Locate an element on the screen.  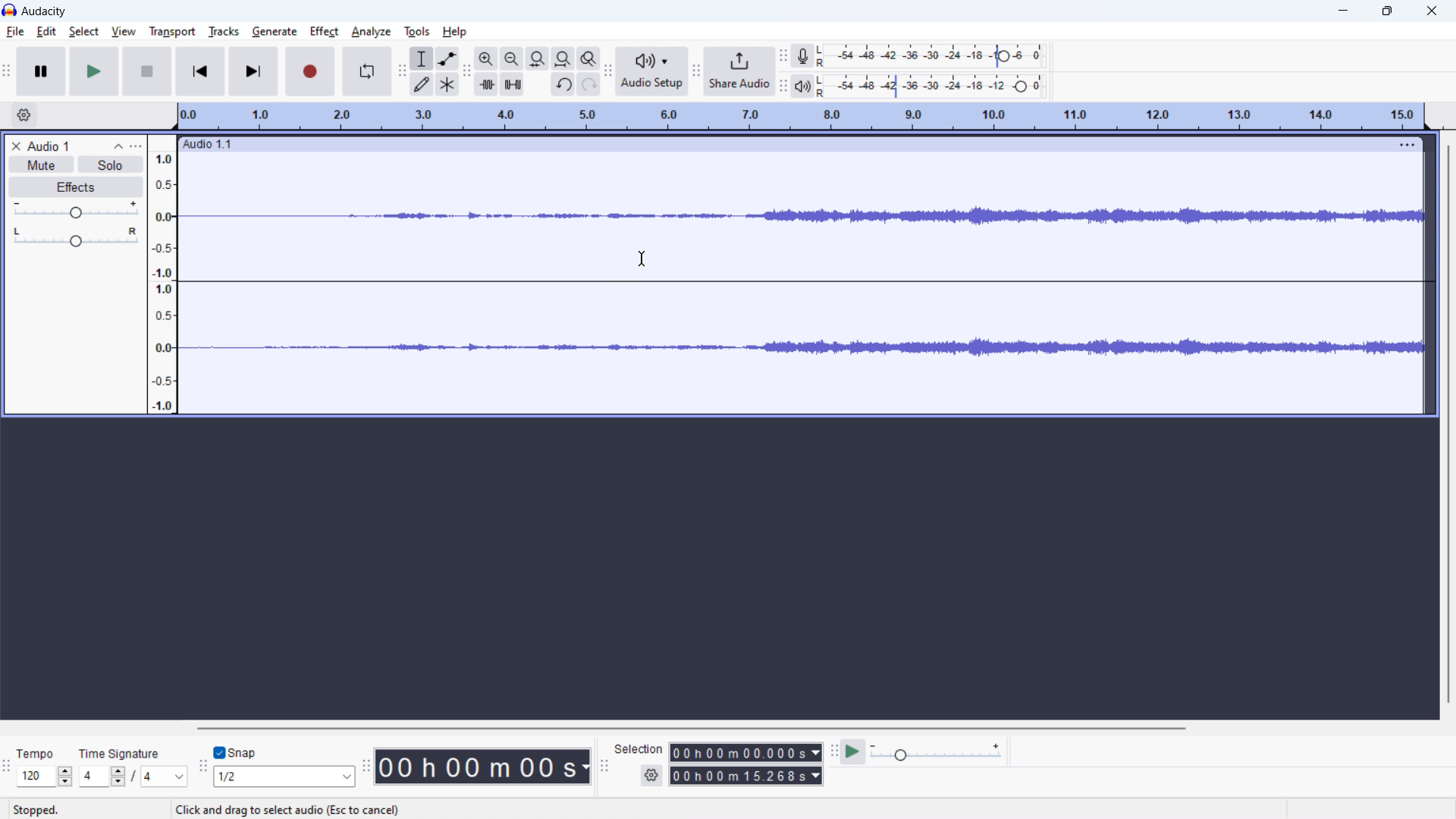
amplitude is located at coordinates (163, 274).